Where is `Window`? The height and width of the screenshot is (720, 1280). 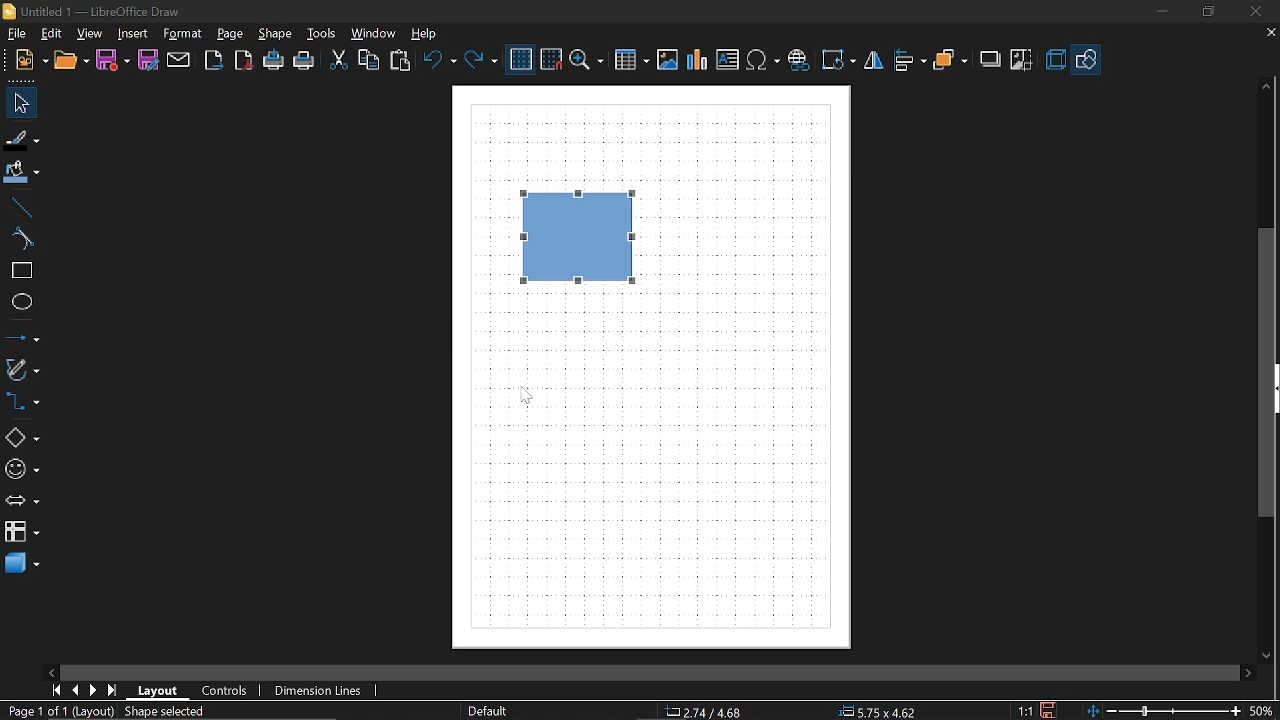 Window is located at coordinates (374, 34).